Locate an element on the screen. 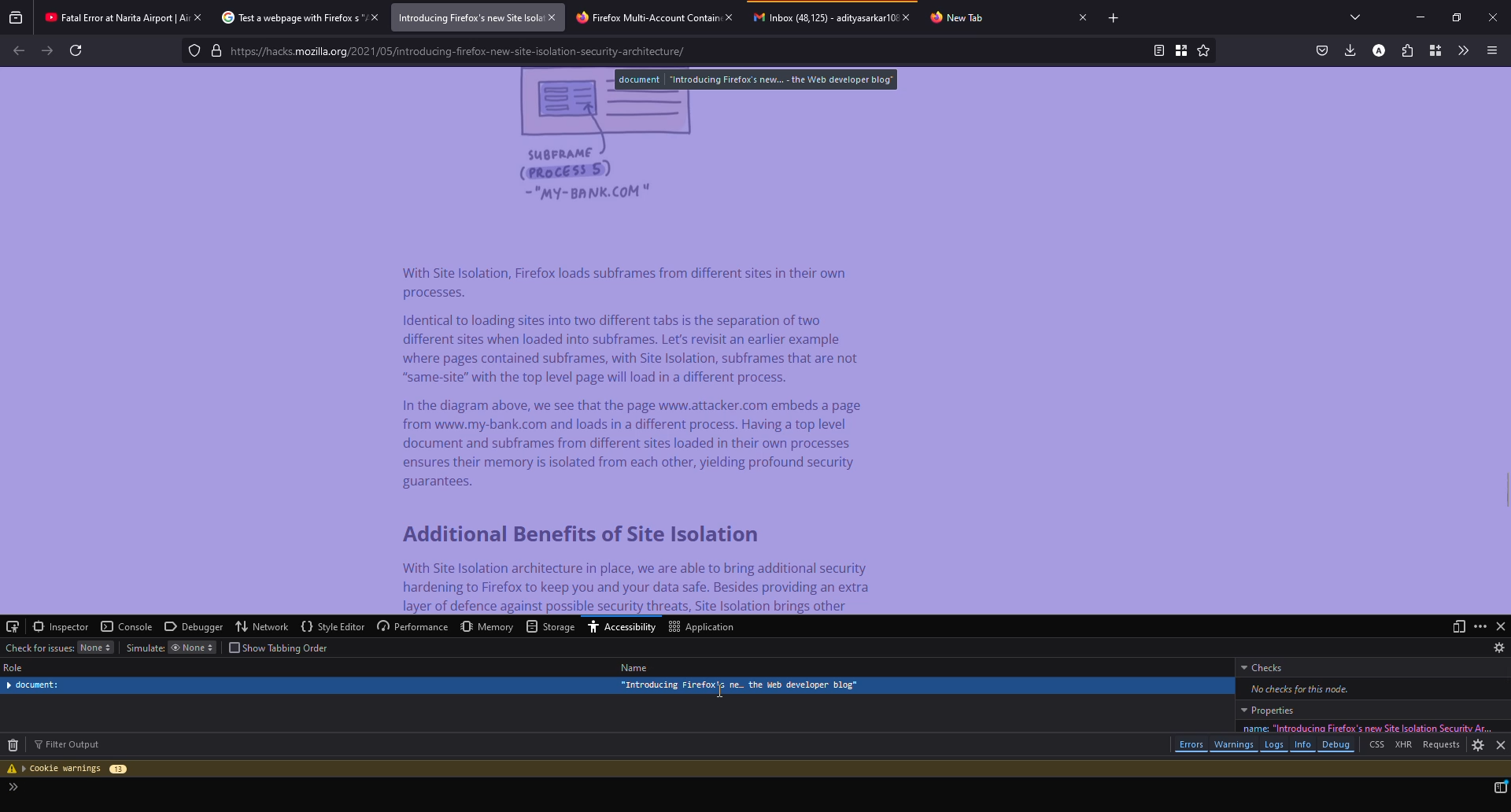 This screenshot has height=812, width=1511. style editor is located at coordinates (333, 625).